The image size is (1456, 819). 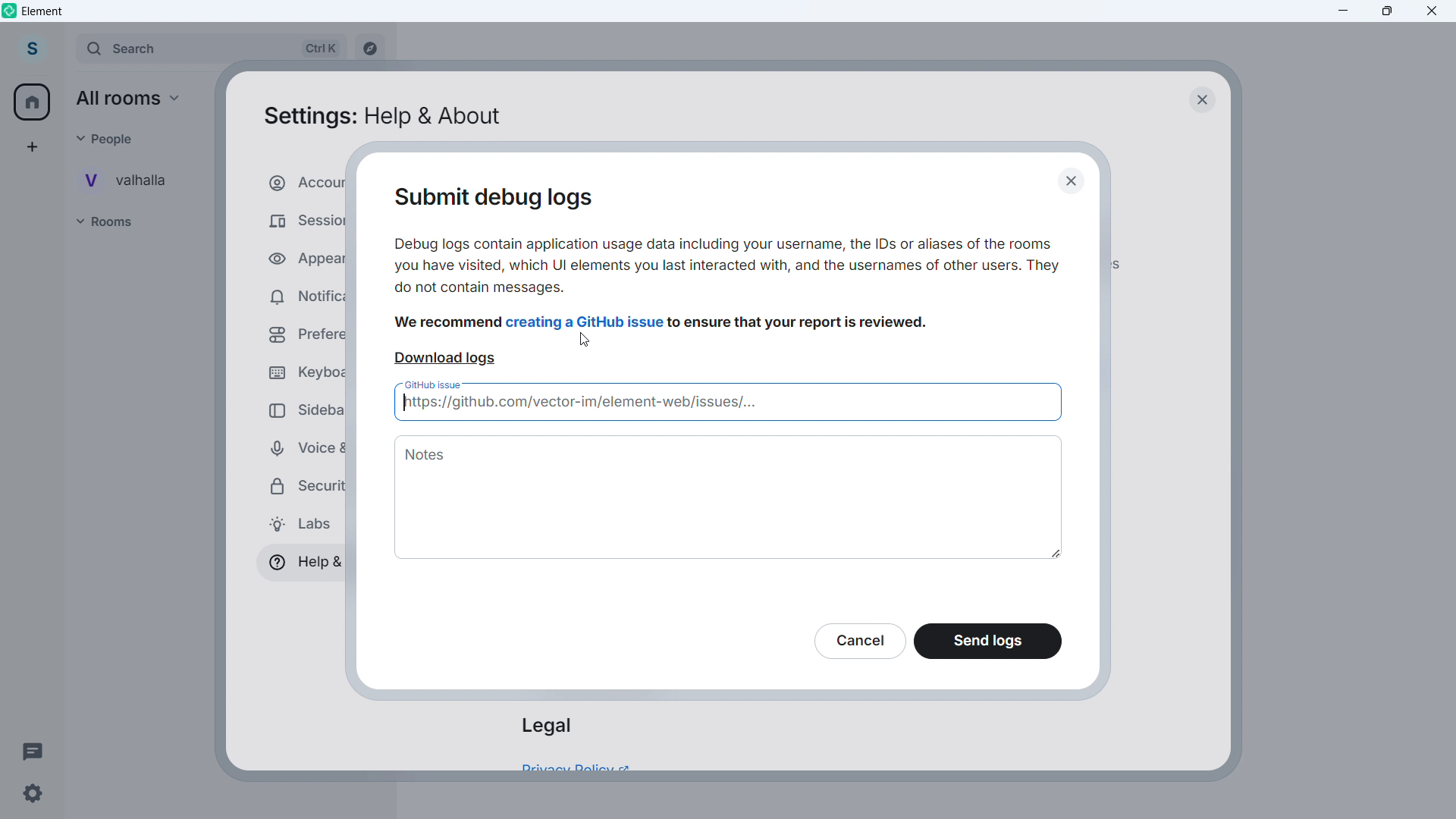 What do you see at coordinates (449, 323) in the screenshot?
I see `we recommend` at bounding box center [449, 323].